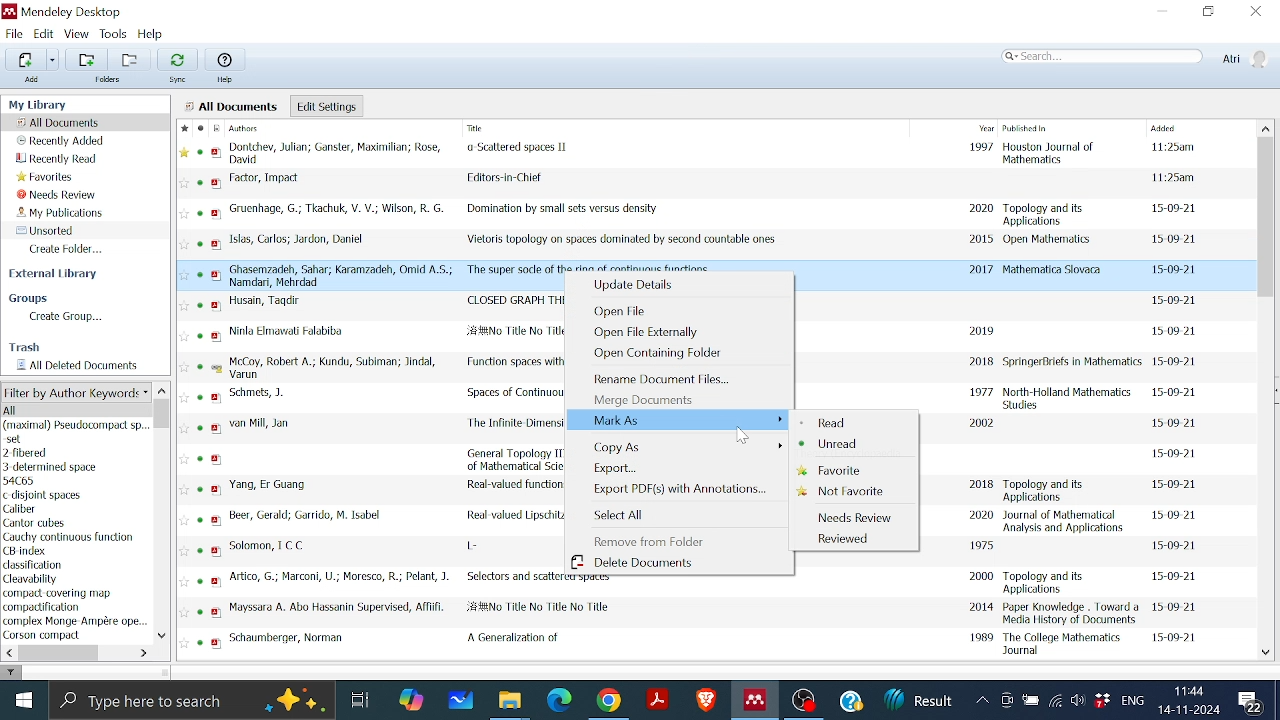 The width and height of the screenshot is (1280, 720). Describe the element at coordinates (113, 35) in the screenshot. I see `Tools` at that location.